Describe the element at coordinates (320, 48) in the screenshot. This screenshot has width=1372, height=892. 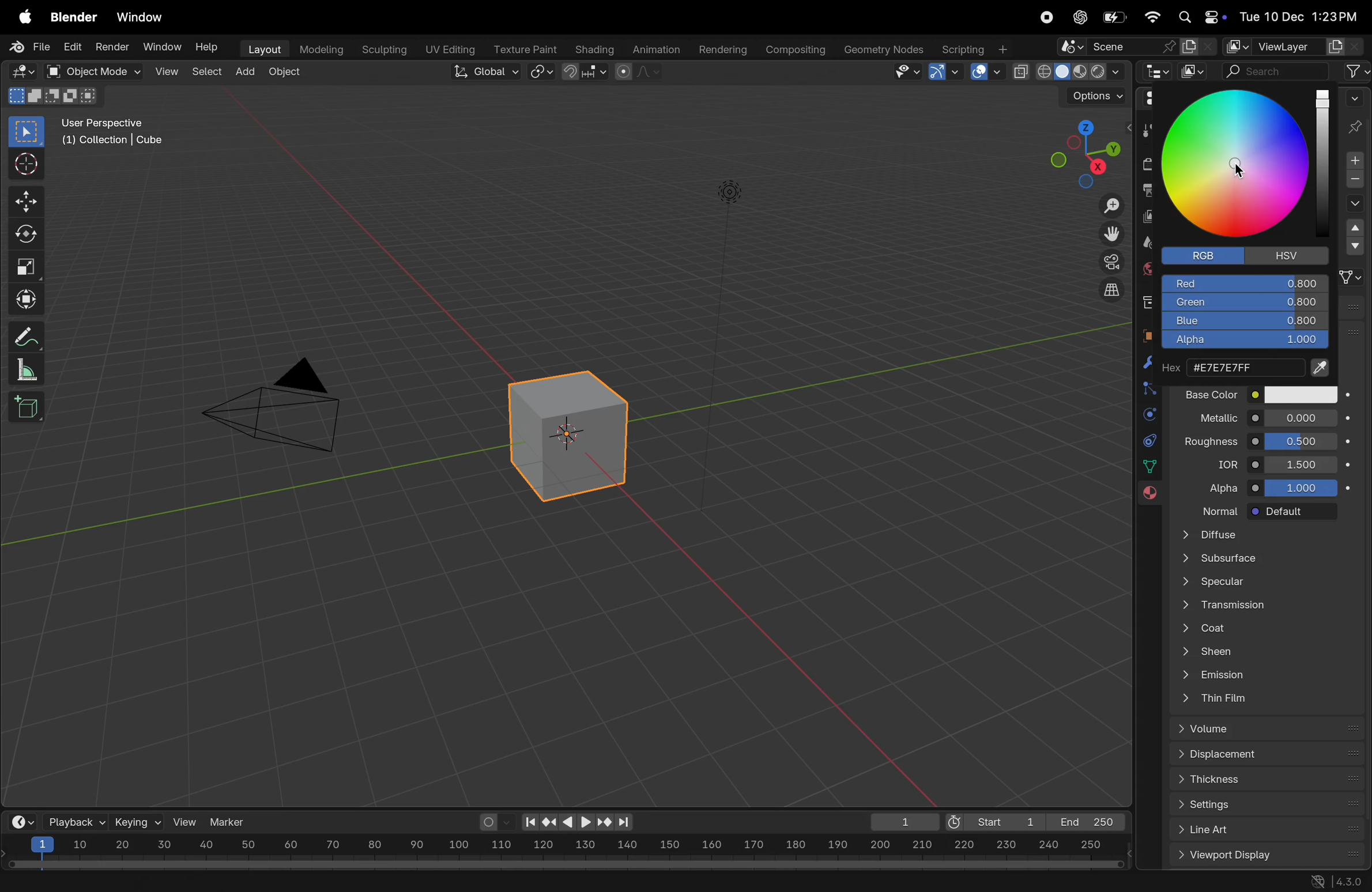
I see `modelling` at that location.